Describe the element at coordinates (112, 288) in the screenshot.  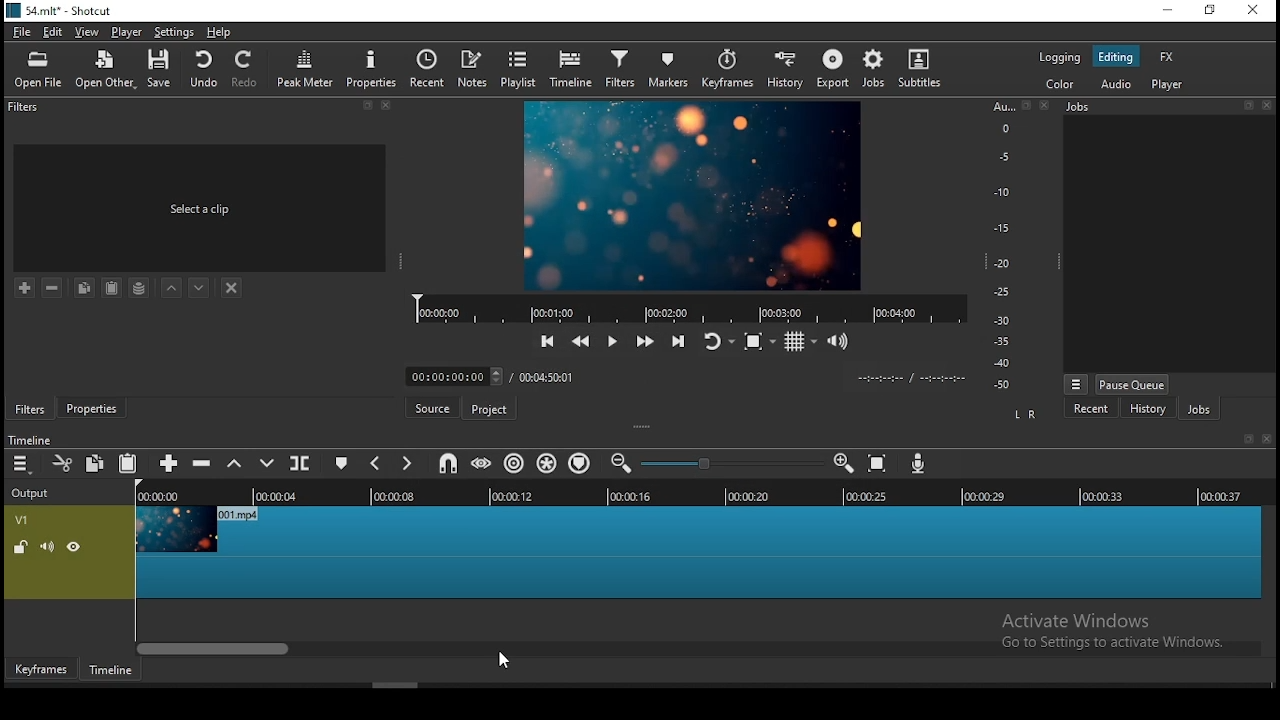
I see `paste` at that location.